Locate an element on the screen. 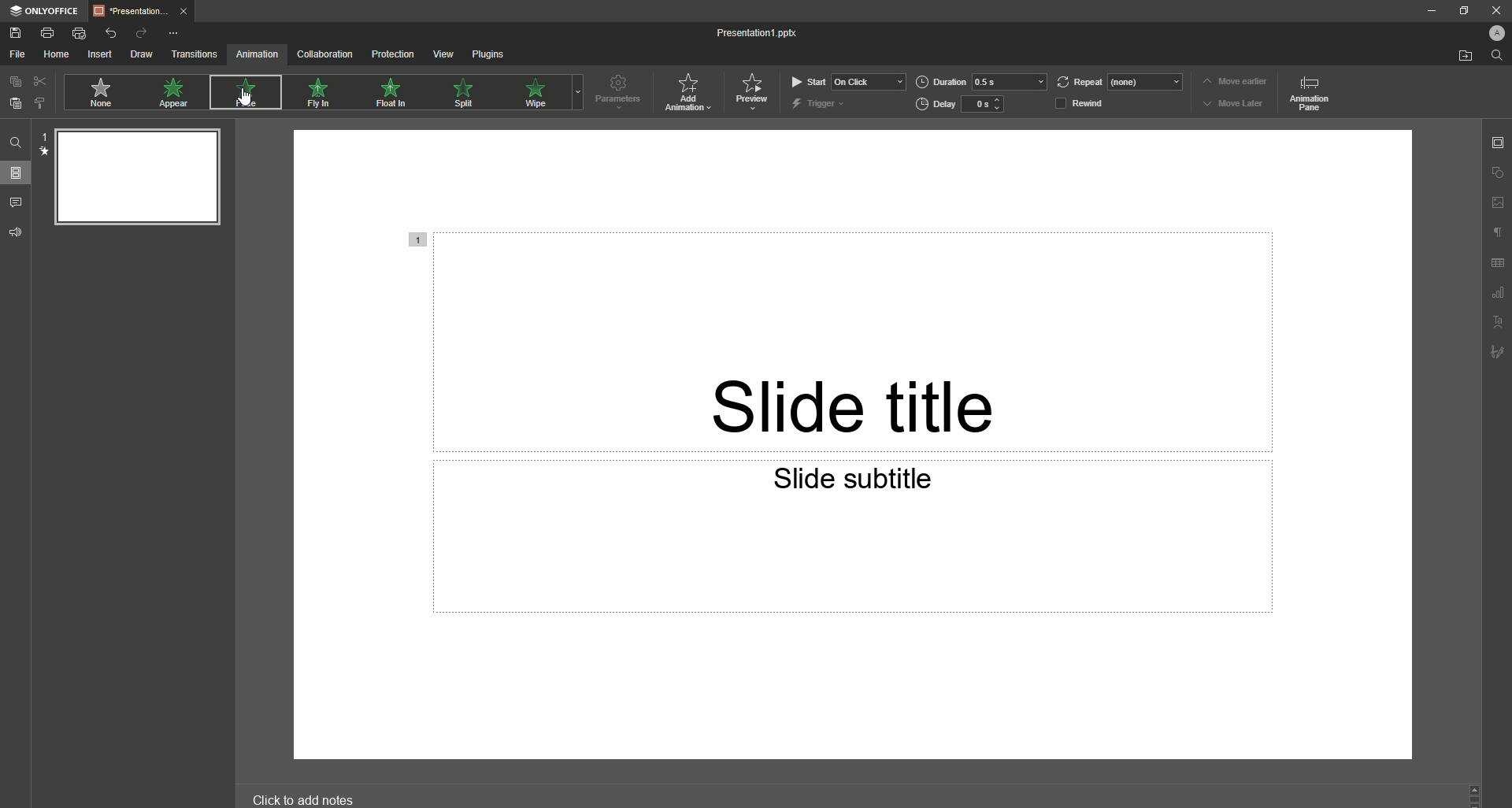 Image resolution: width=1512 pixels, height=808 pixels. Wipe is located at coordinates (534, 92).